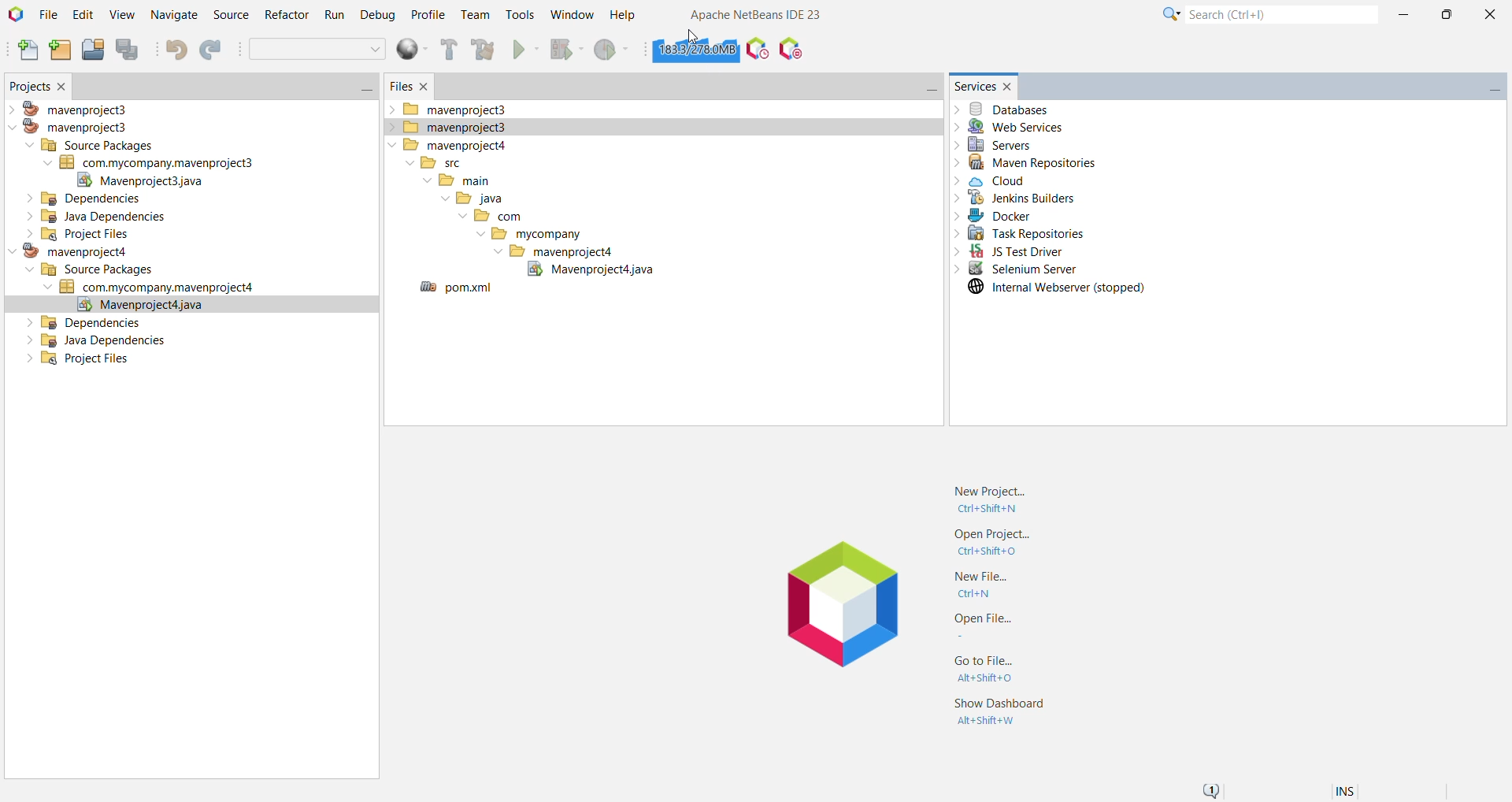 The width and height of the screenshot is (1512, 802). Describe the element at coordinates (1058, 291) in the screenshot. I see `Internal Webserver ( stopped)` at that location.